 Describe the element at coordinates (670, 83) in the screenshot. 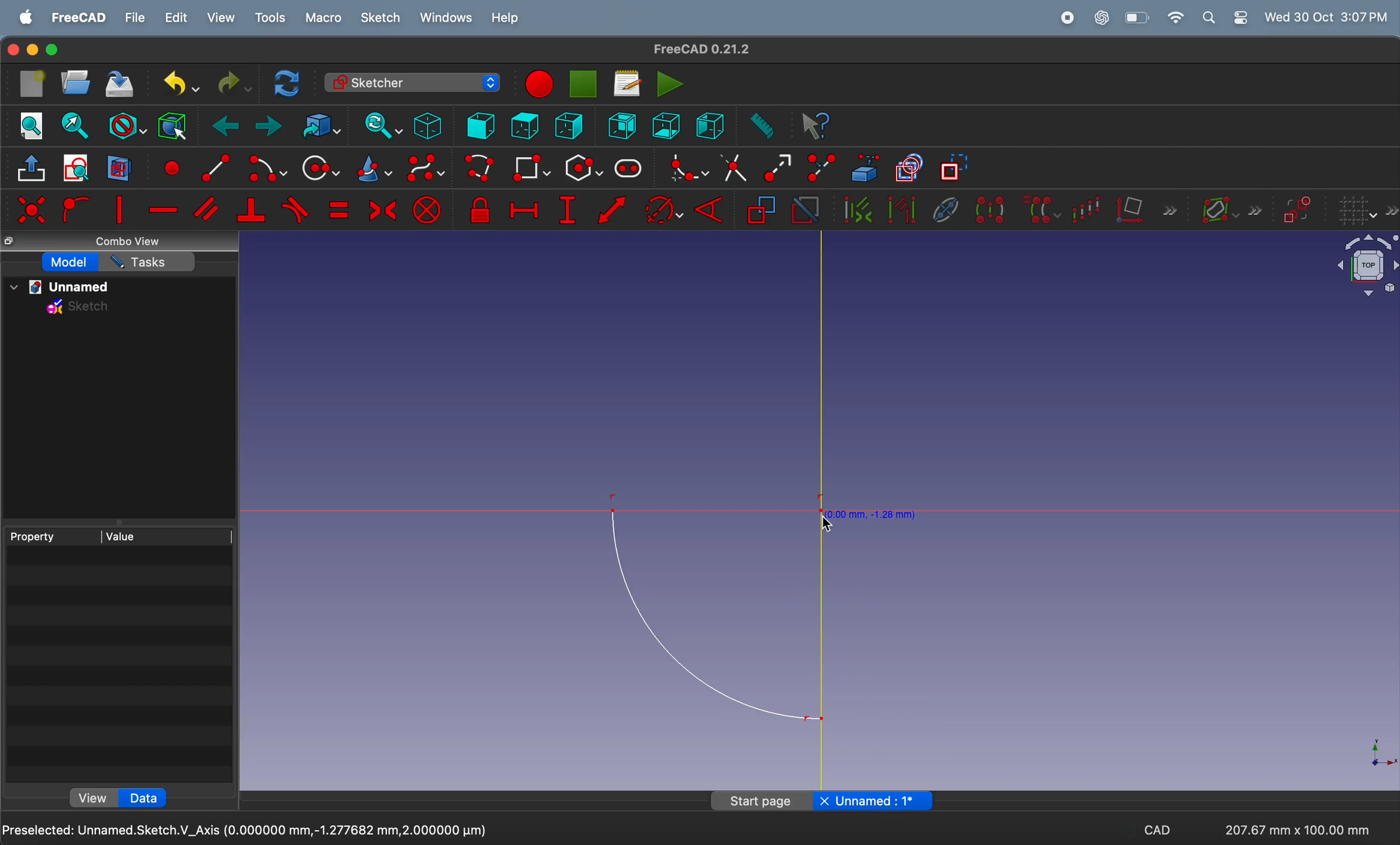

I see `execute marco` at that location.